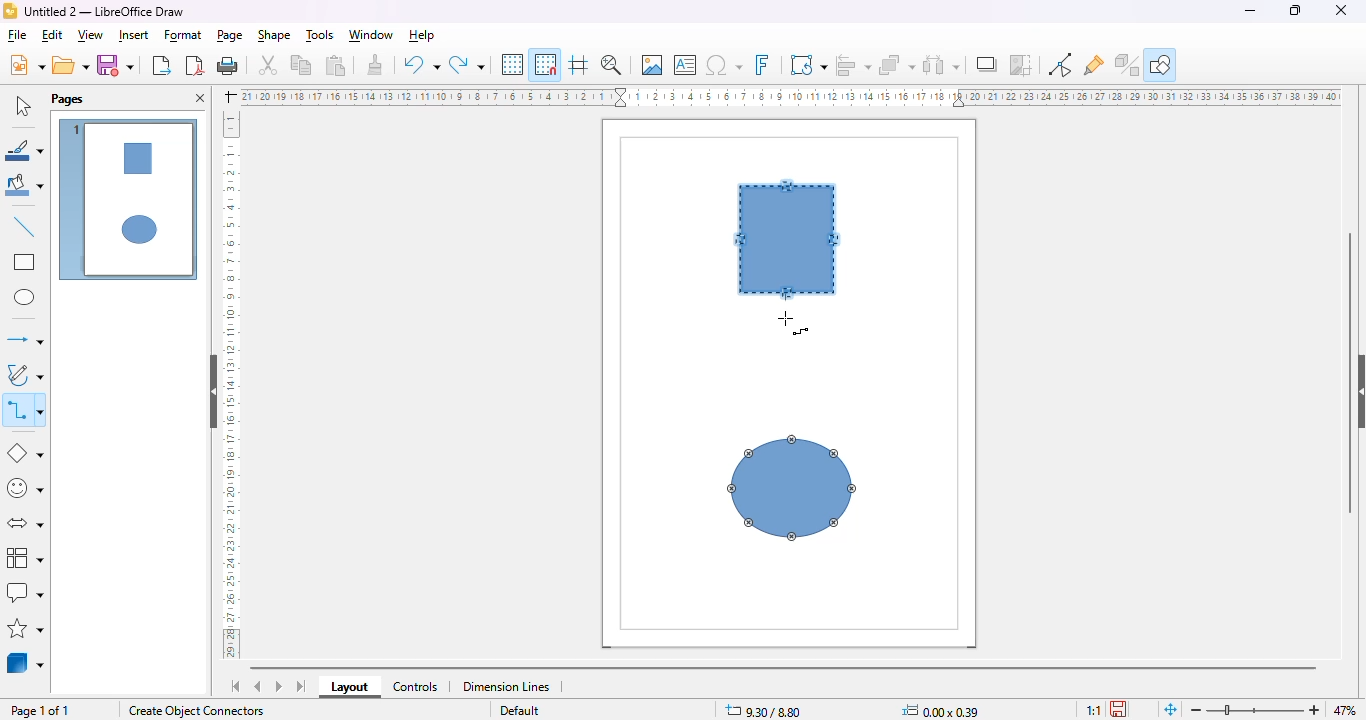  I want to click on lines and arrows, so click(24, 339).